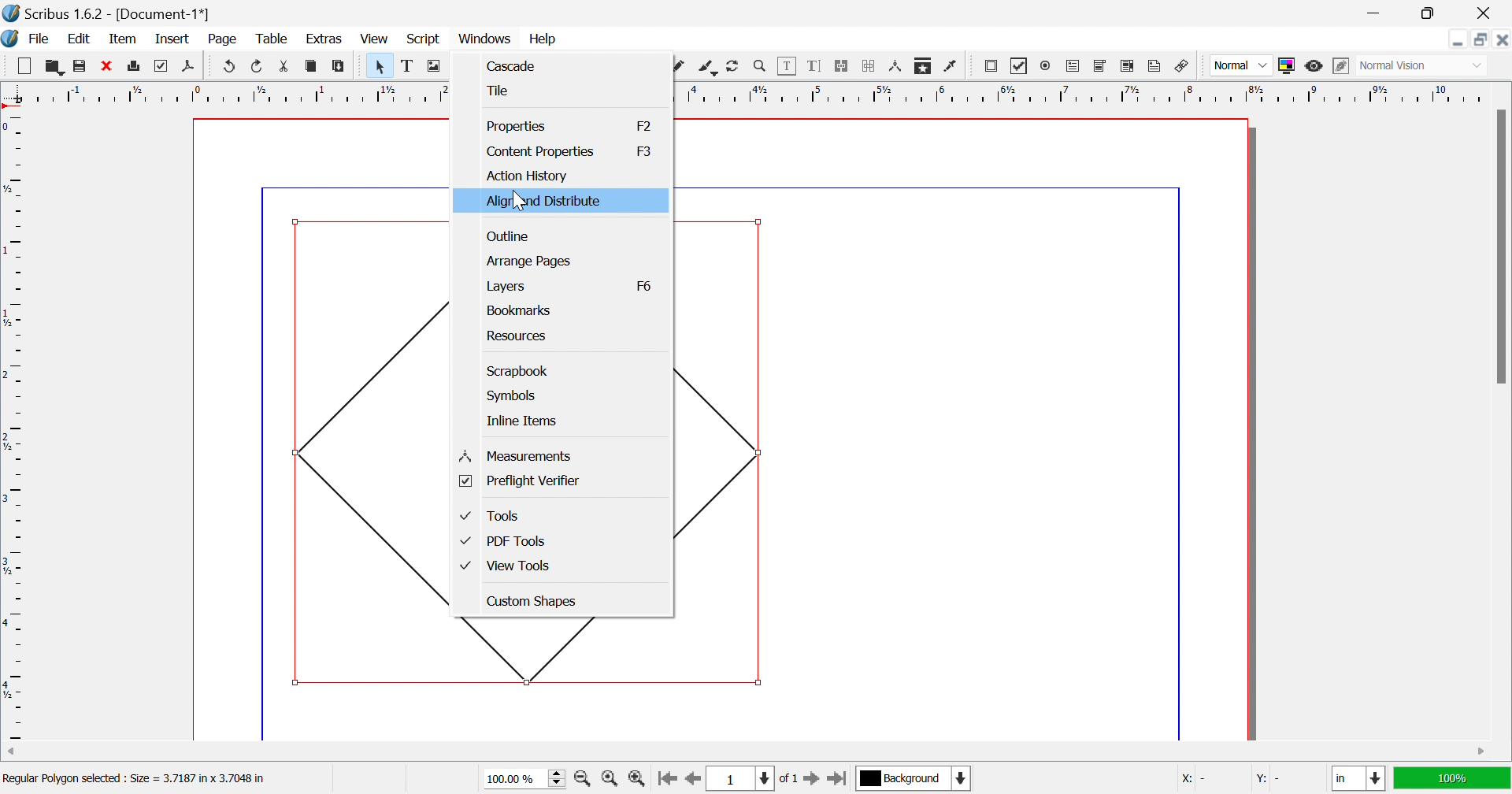 The image size is (1512, 794). I want to click on Resources, so click(517, 337).